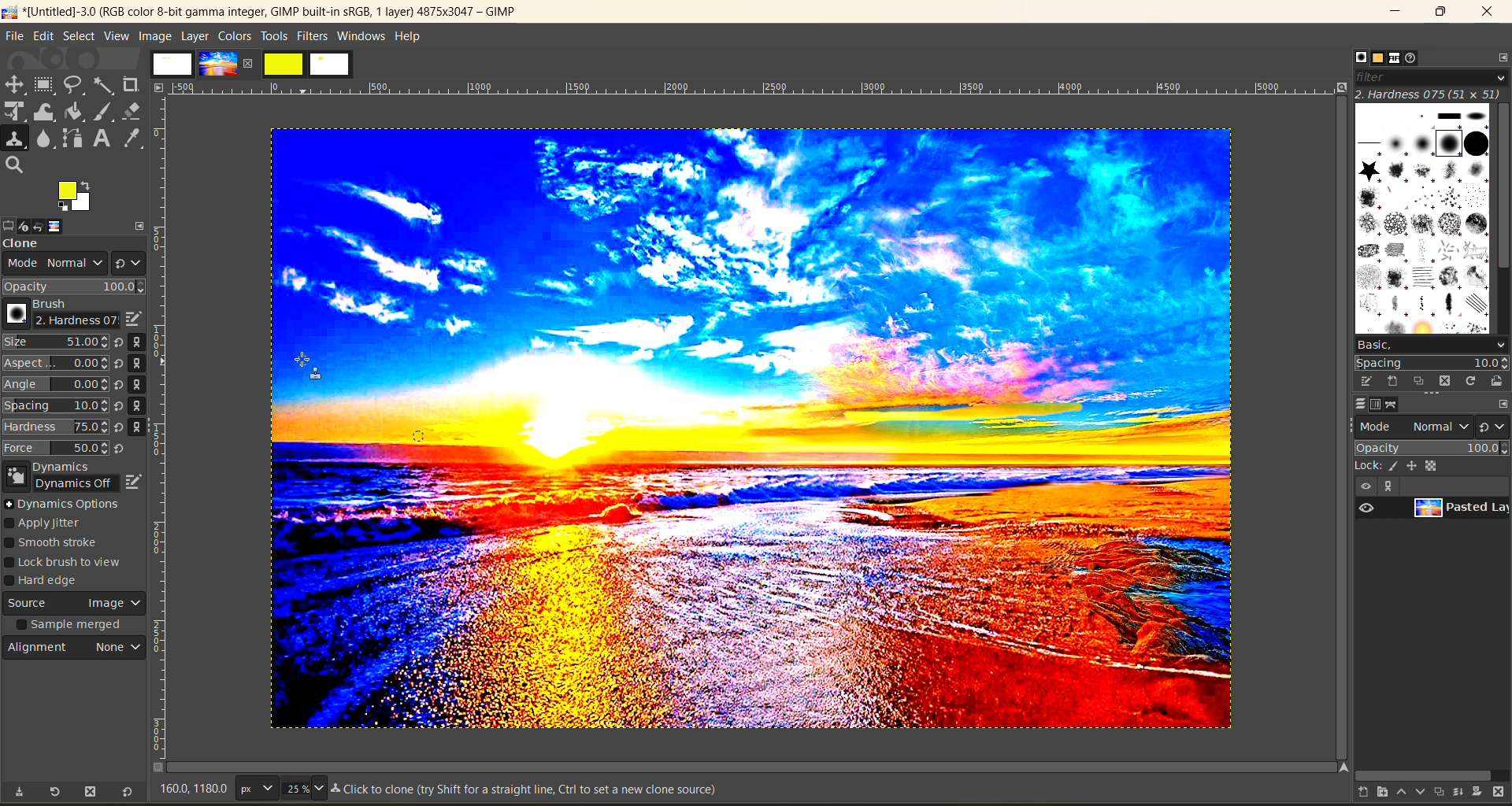  Describe the element at coordinates (135, 138) in the screenshot. I see `color picker tool` at that location.